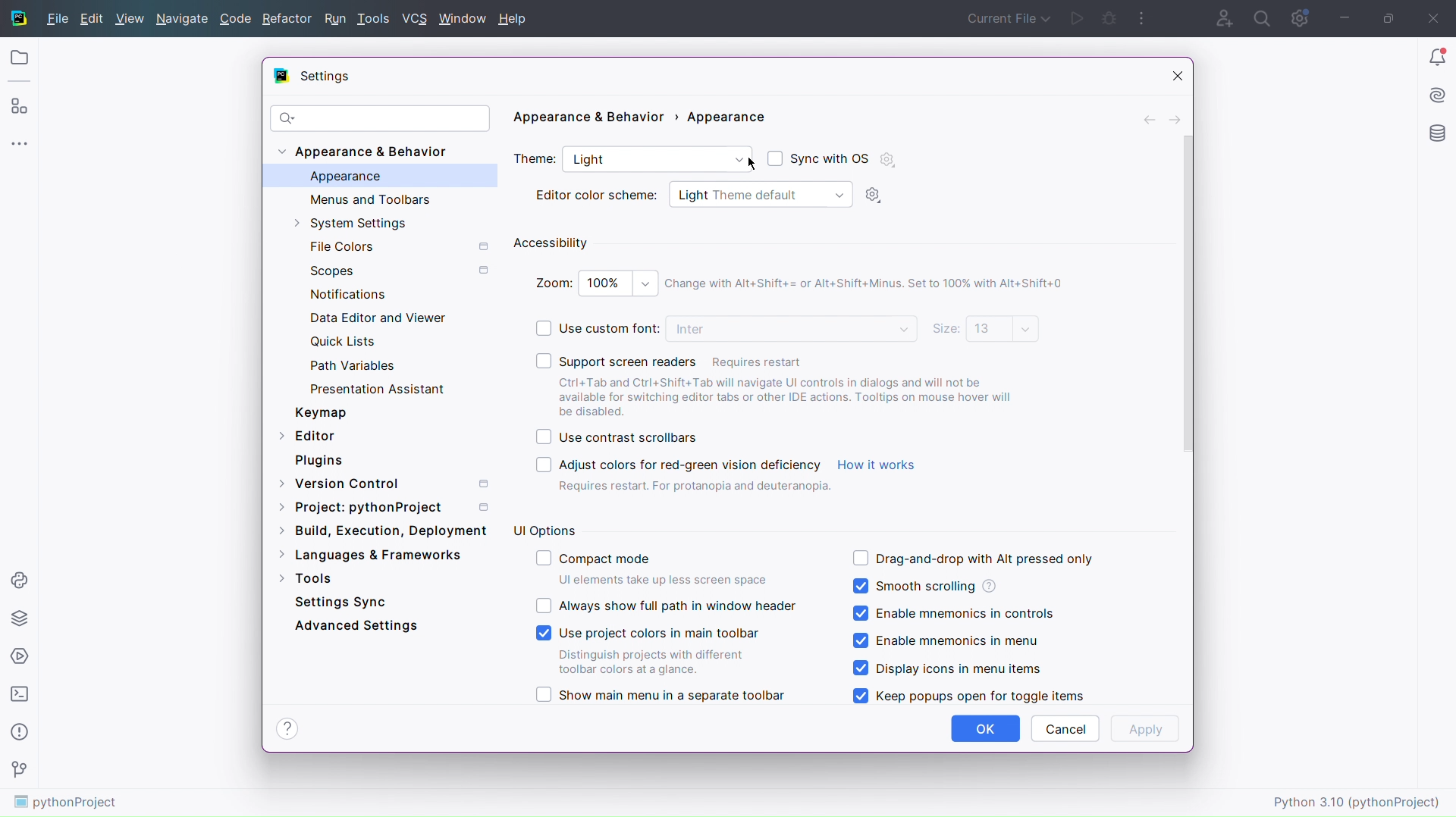 This screenshot has width=1456, height=817. What do you see at coordinates (287, 728) in the screenshot?
I see `Help` at bounding box center [287, 728].